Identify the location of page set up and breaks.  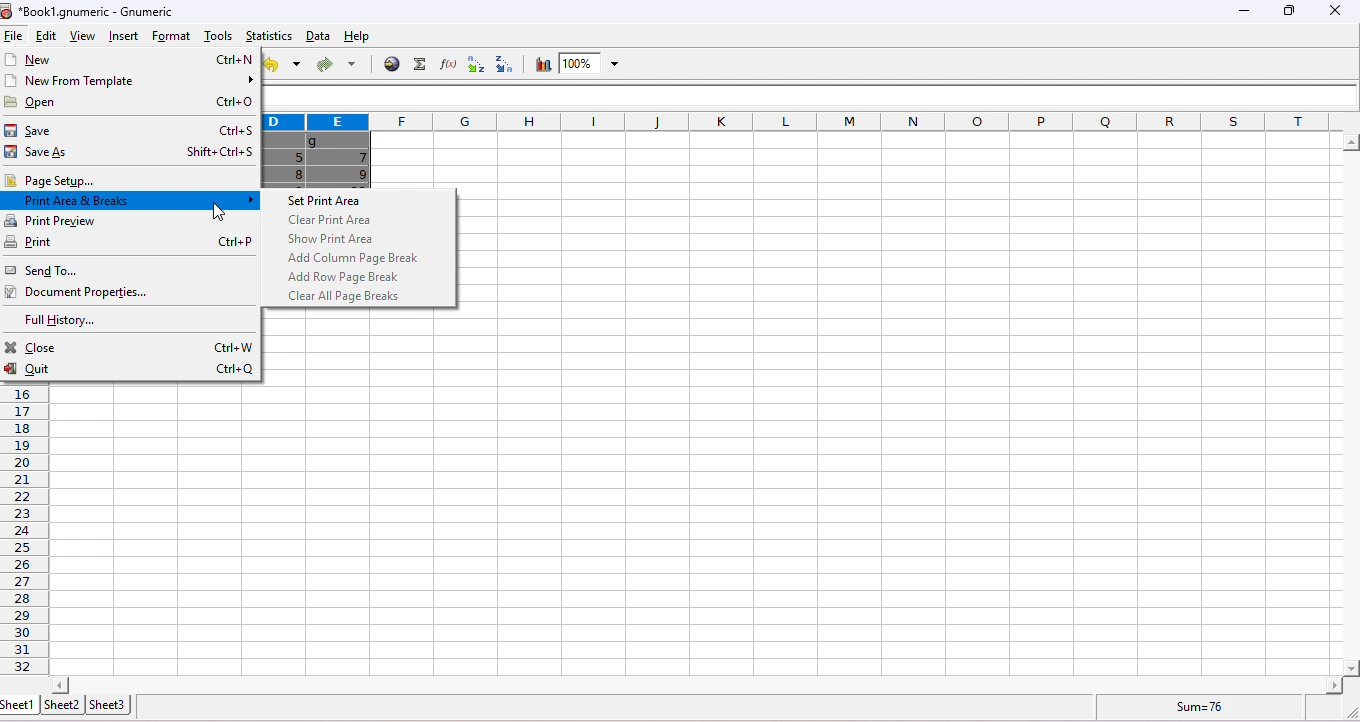
(129, 201).